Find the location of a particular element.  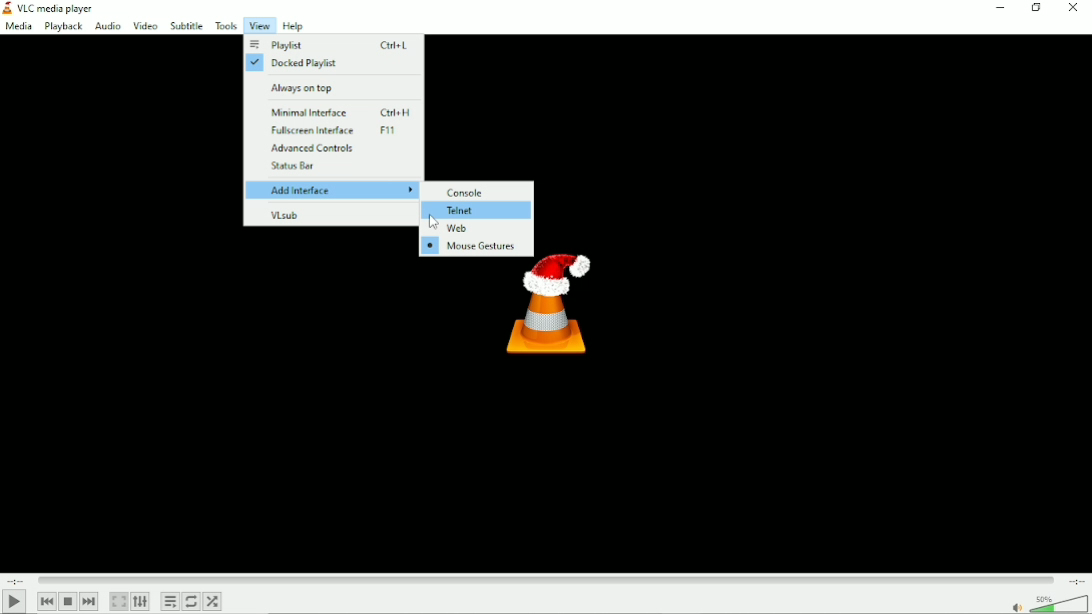

Advanced controls is located at coordinates (331, 148).